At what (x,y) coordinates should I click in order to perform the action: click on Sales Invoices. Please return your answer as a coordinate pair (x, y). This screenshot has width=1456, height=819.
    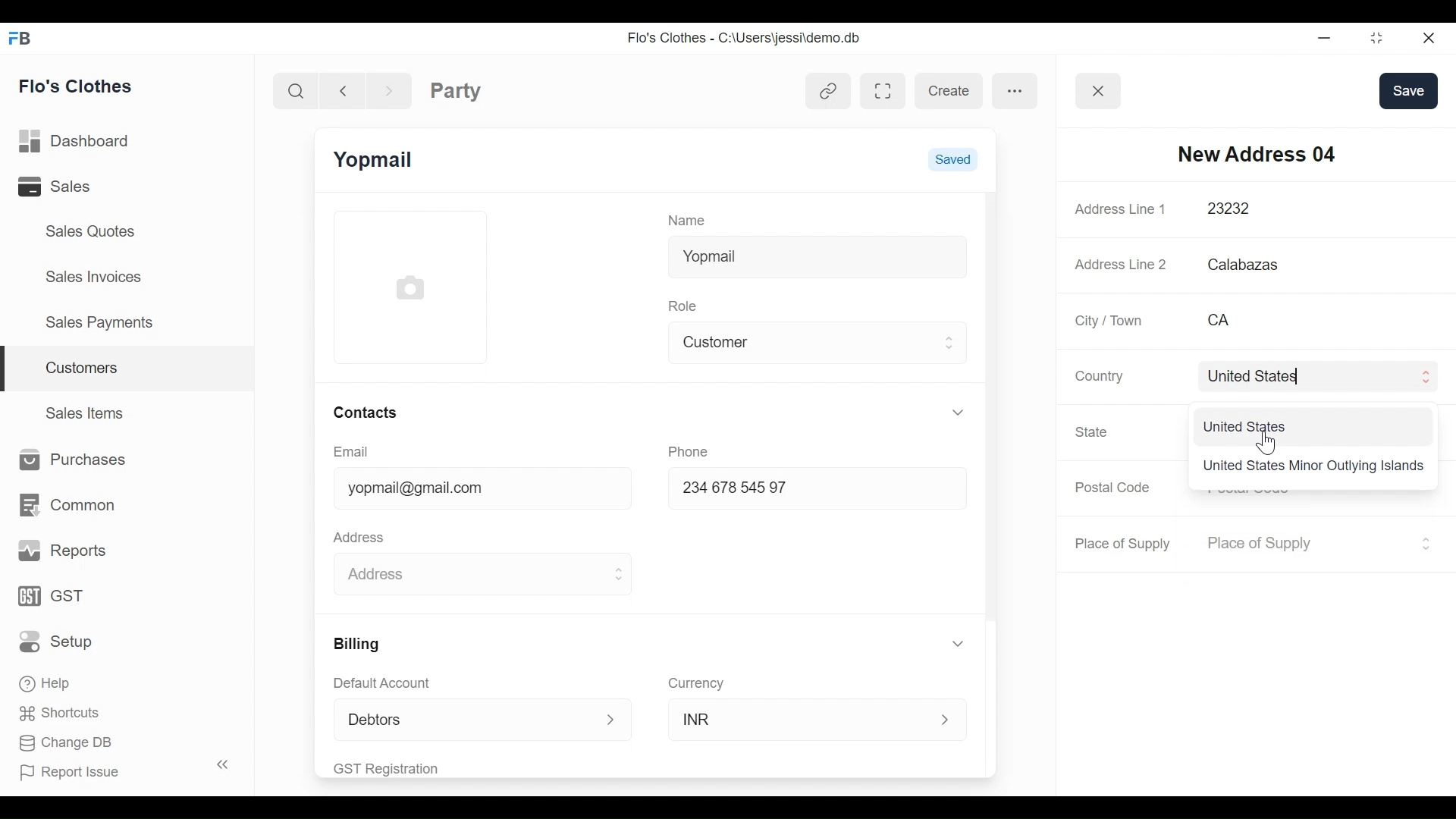
    Looking at the image, I should click on (96, 275).